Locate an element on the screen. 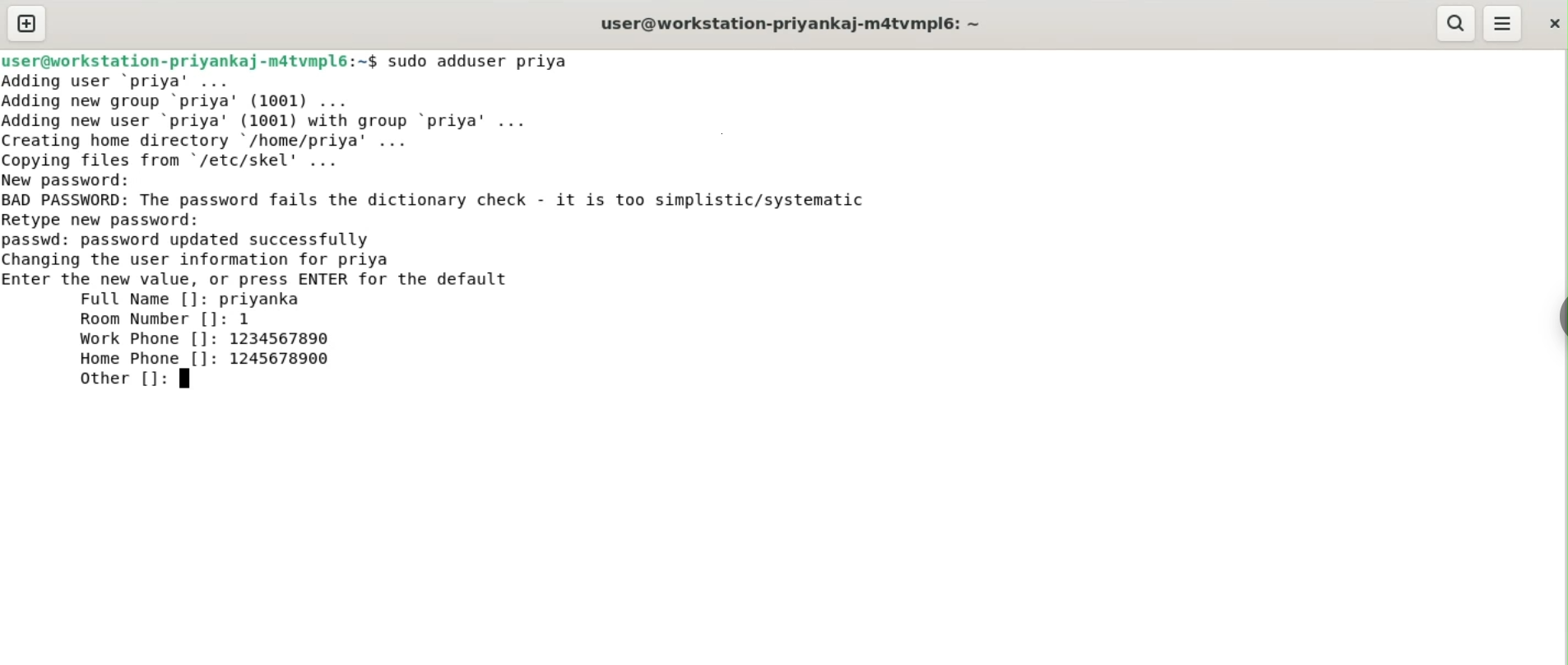  other []: is located at coordinates (134, 380).